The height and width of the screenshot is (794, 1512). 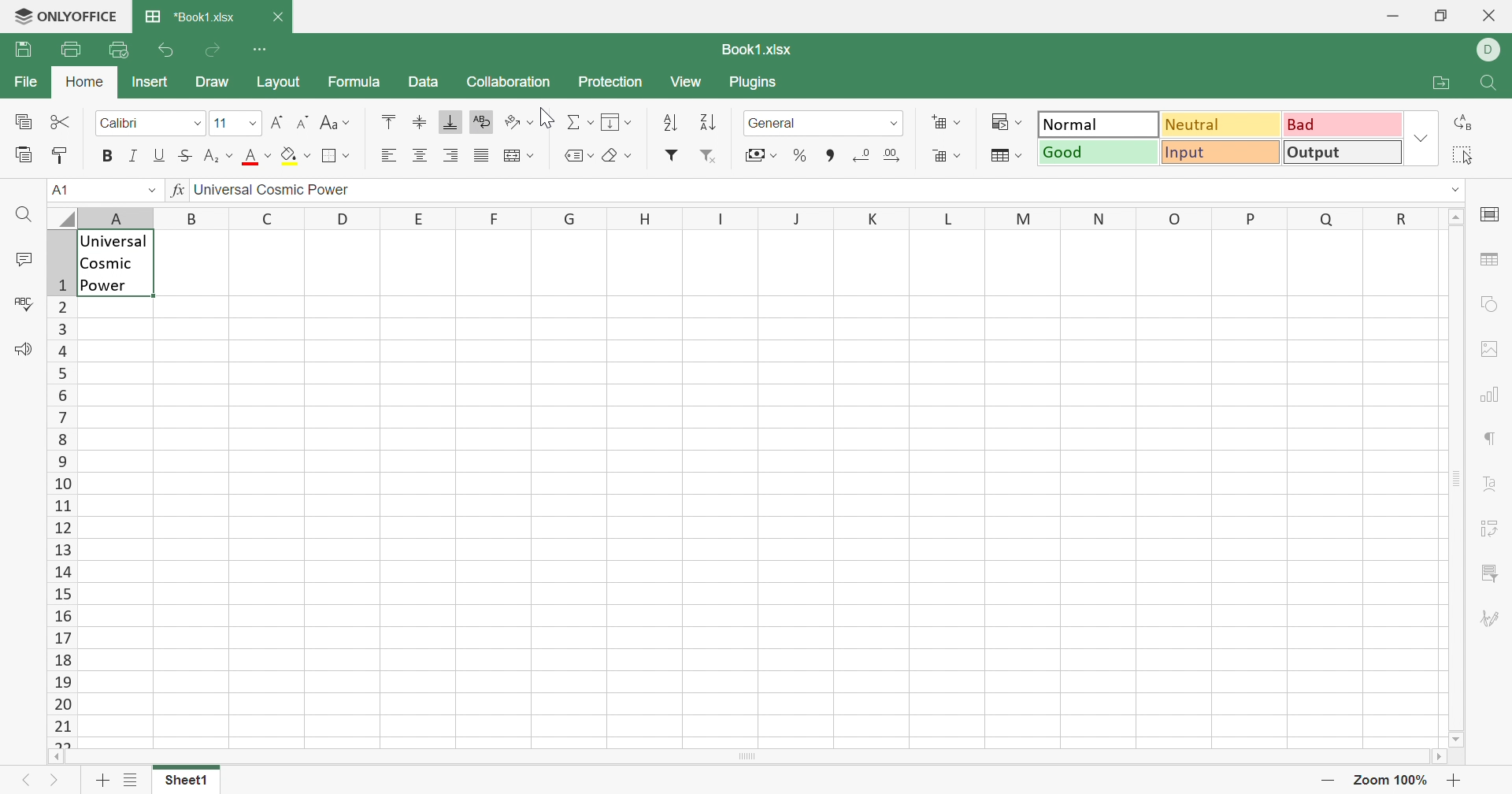 What do you see at coordinates (692, 82) in the screenshot?
I see `View` at bounding box center [692, 82].